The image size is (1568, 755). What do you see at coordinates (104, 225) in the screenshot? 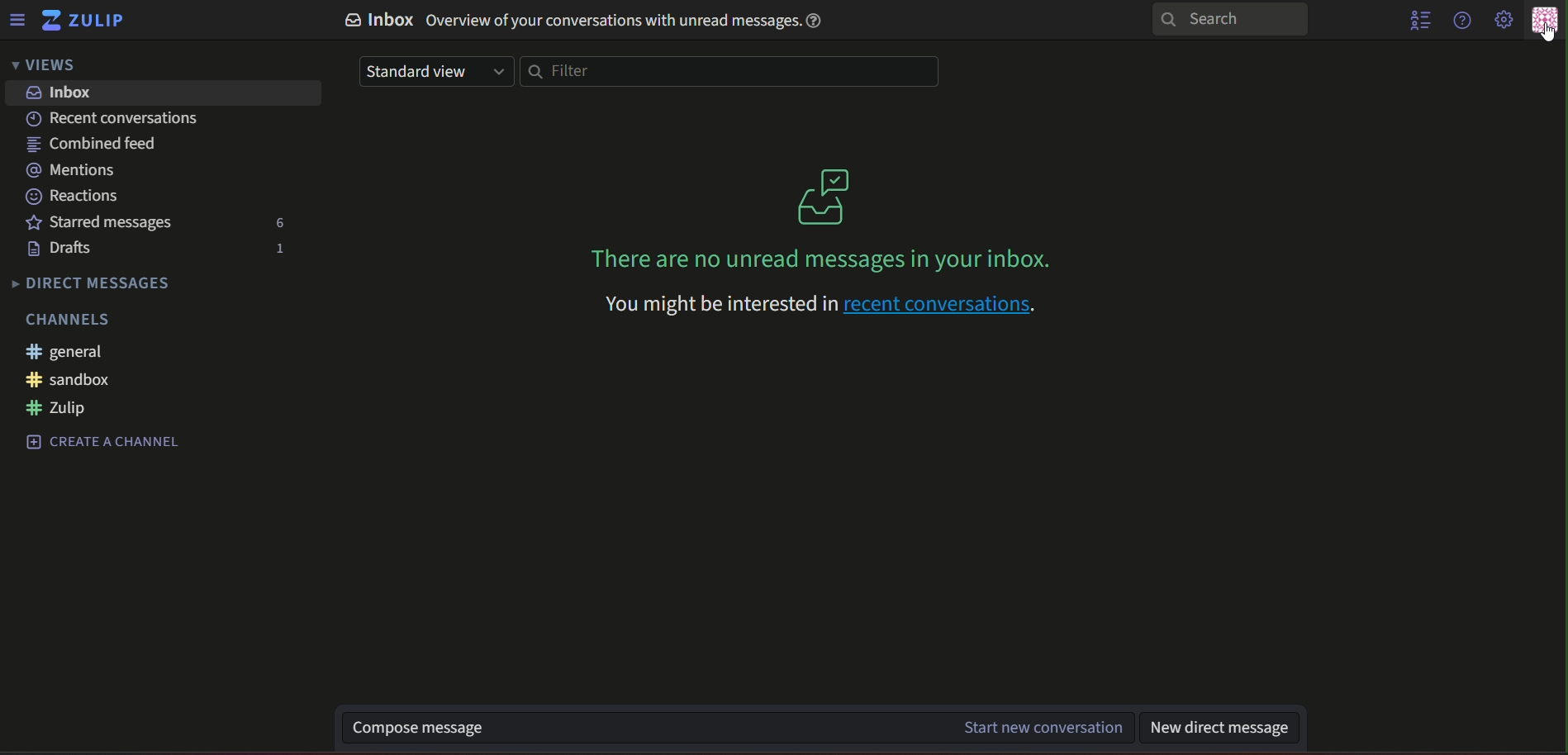
I see `starred messages` at bounding box center [104, 225].